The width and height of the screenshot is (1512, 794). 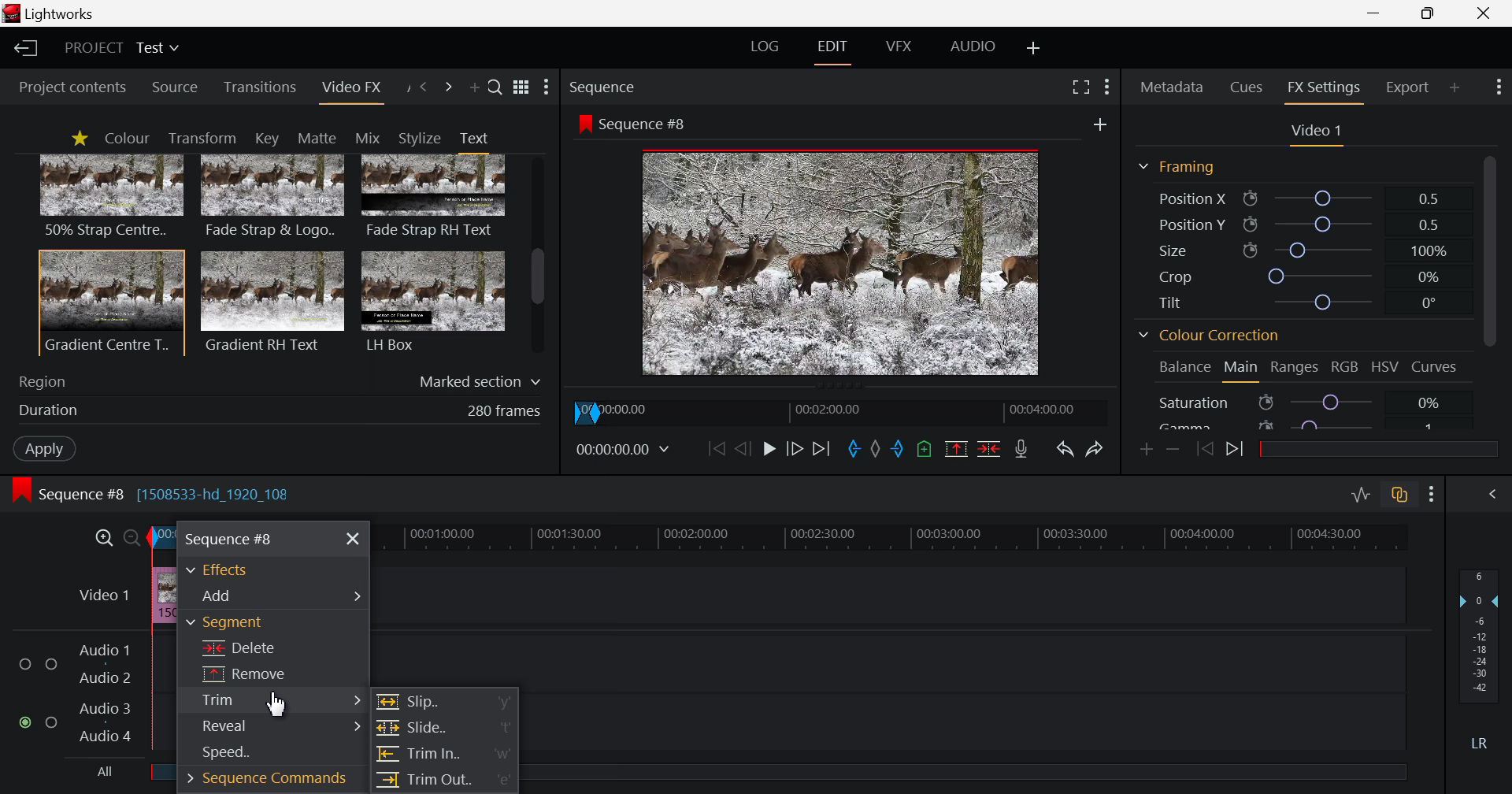 I want to click on Add, so click(x=1095, y=123).